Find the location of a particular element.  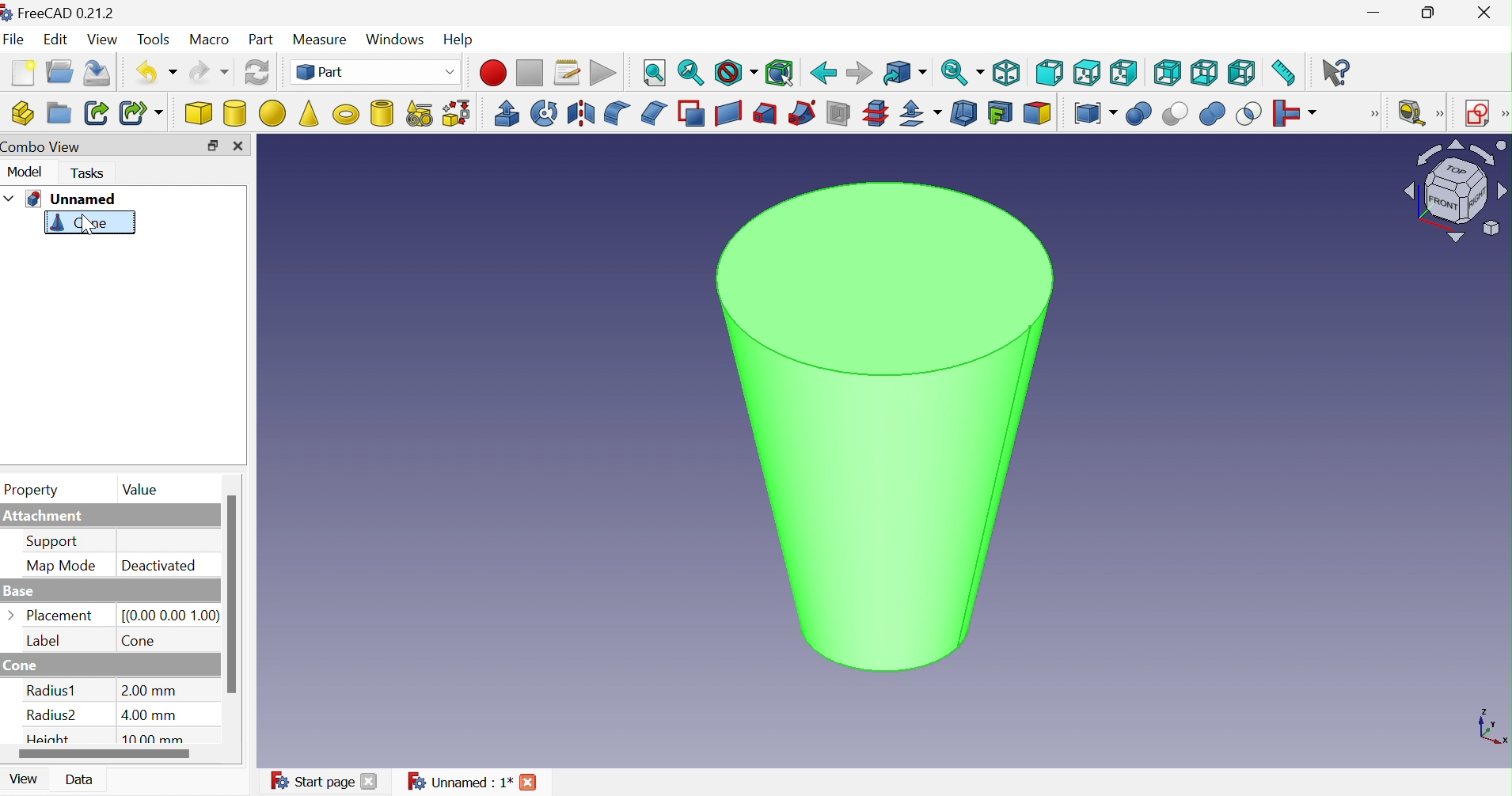

Height is located at coordinates (51, 739).